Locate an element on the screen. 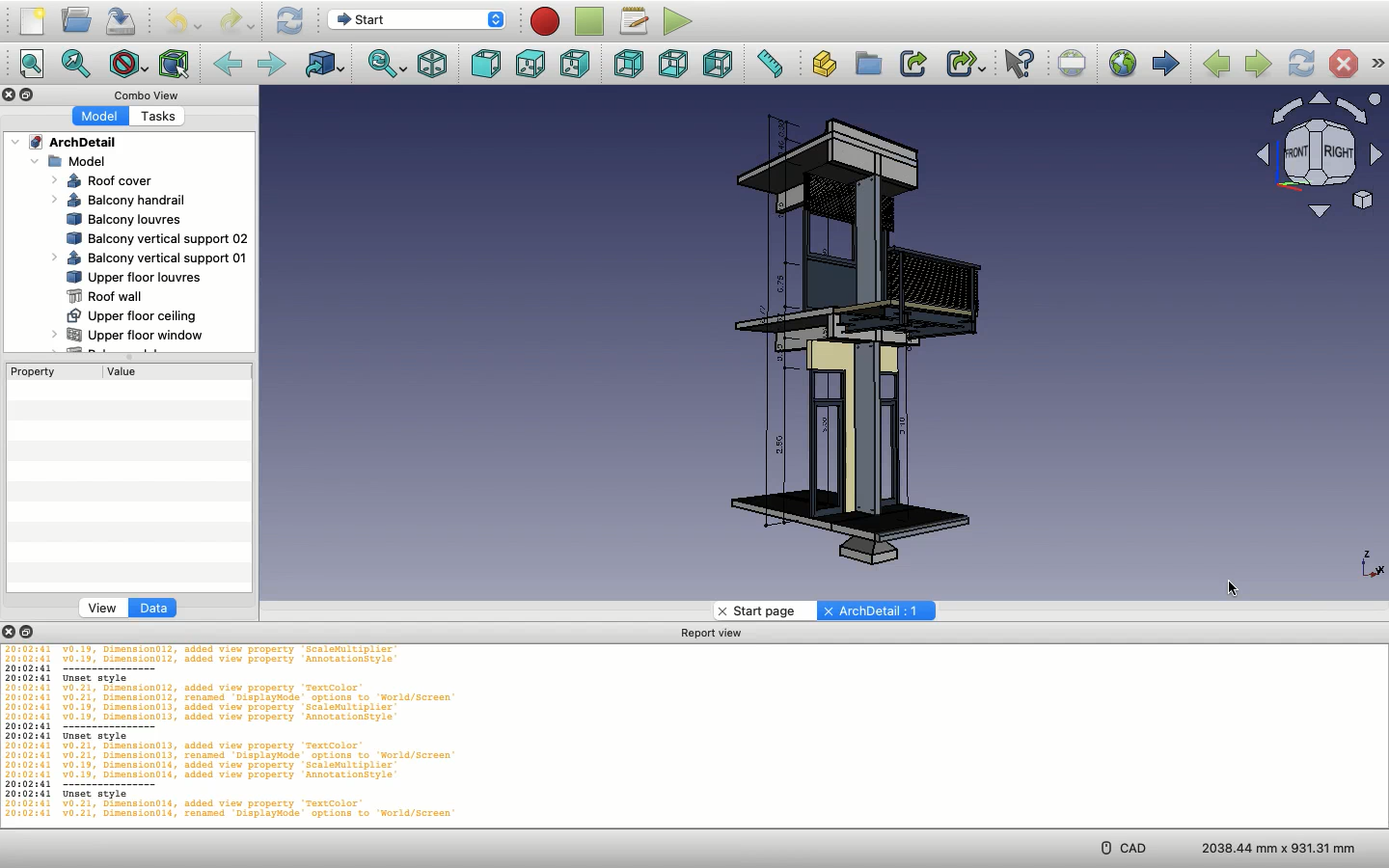  Sync view is located at coordinates (387, 64).